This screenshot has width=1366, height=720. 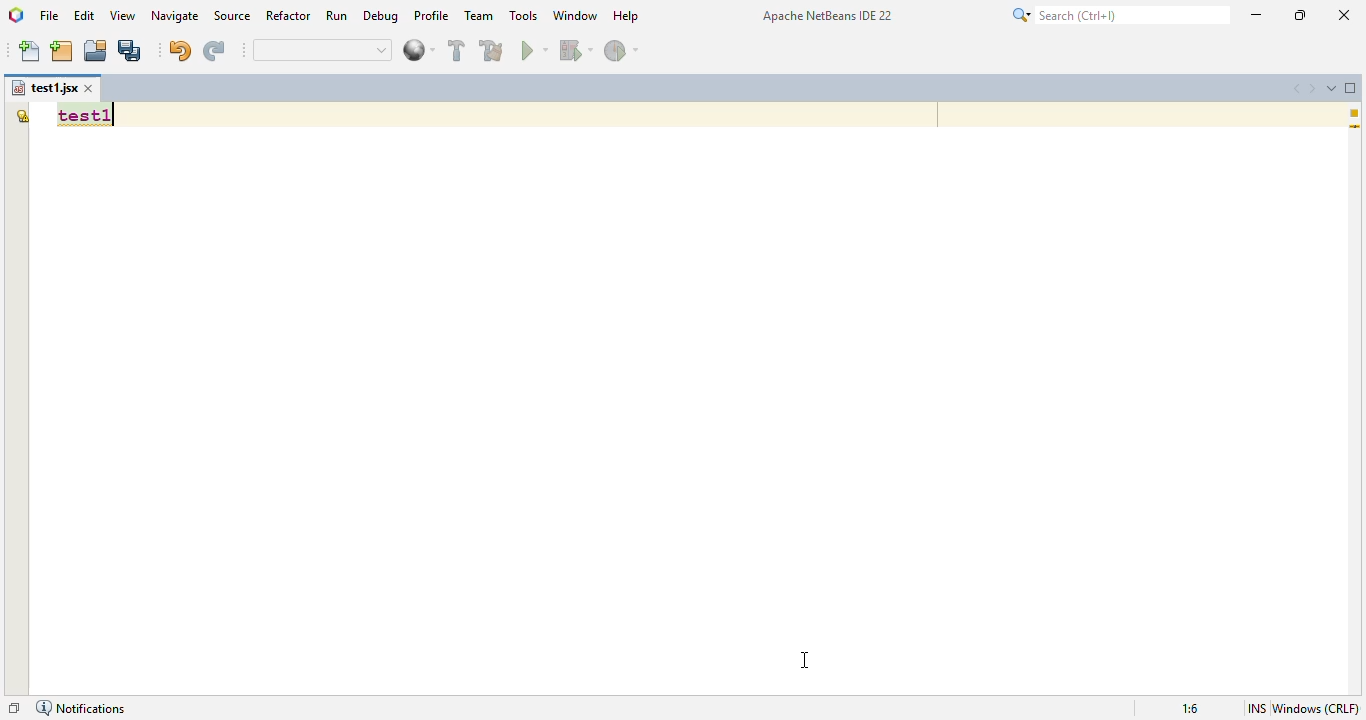 What do you see at coordinates (1257, 14) in the screenshot?
I see `minimize` at bounding box center [1257, 14].